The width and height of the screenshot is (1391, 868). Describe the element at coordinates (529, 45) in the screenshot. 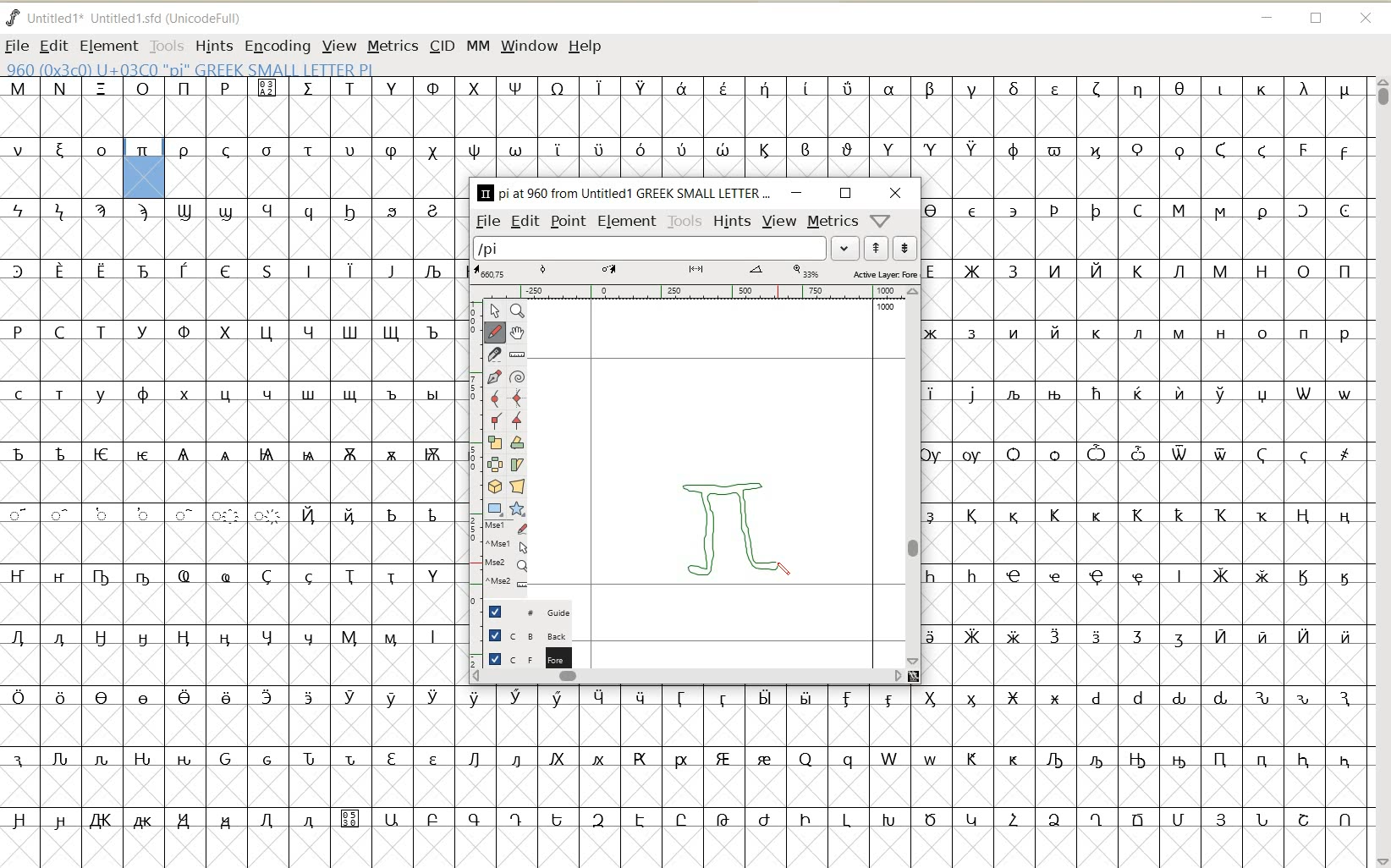

I see `WINDOW` at that location.